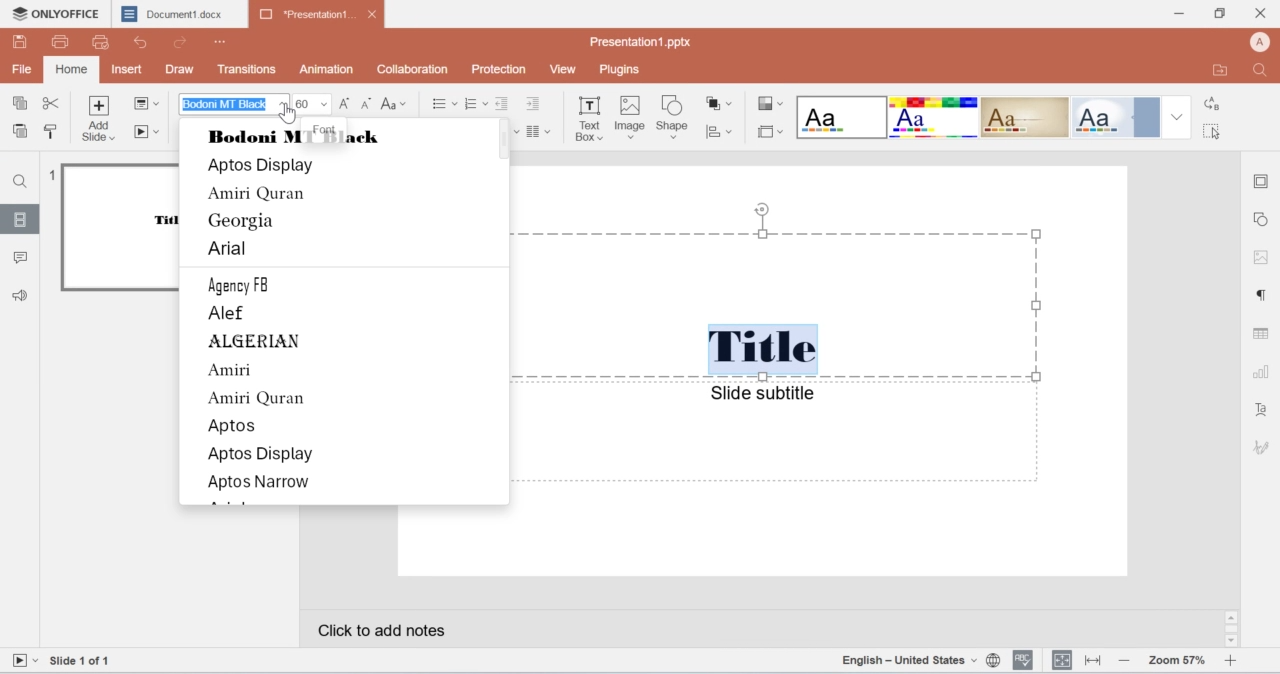  What do you see at coordinates (21, 222) in the screenshot?
I see `slides` at bounding box center [21, 222].